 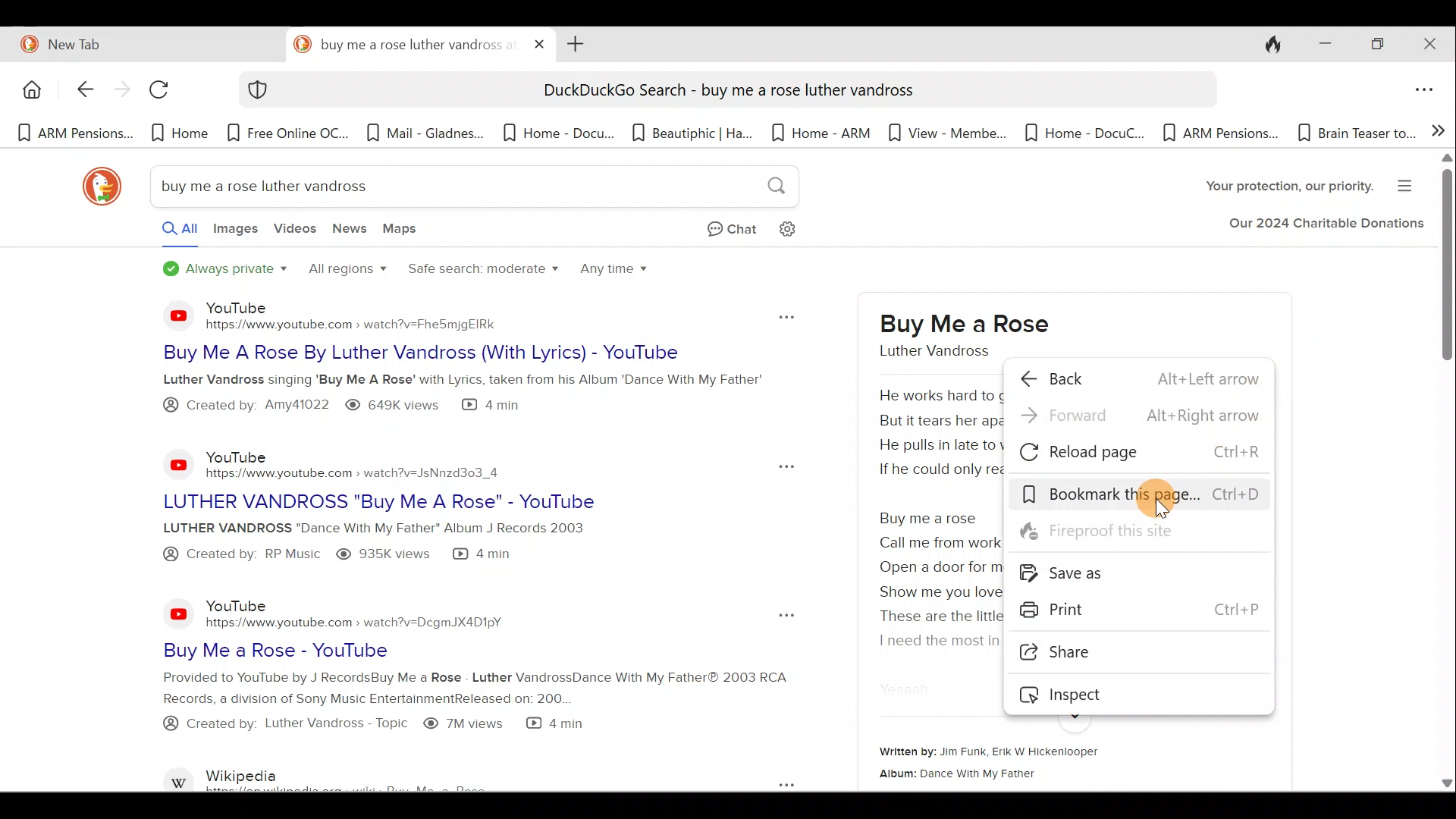 What do you see at coordinates (180, 133) in the screenshot?
I see `Bookmark 2` at bounding box center [180, 133].